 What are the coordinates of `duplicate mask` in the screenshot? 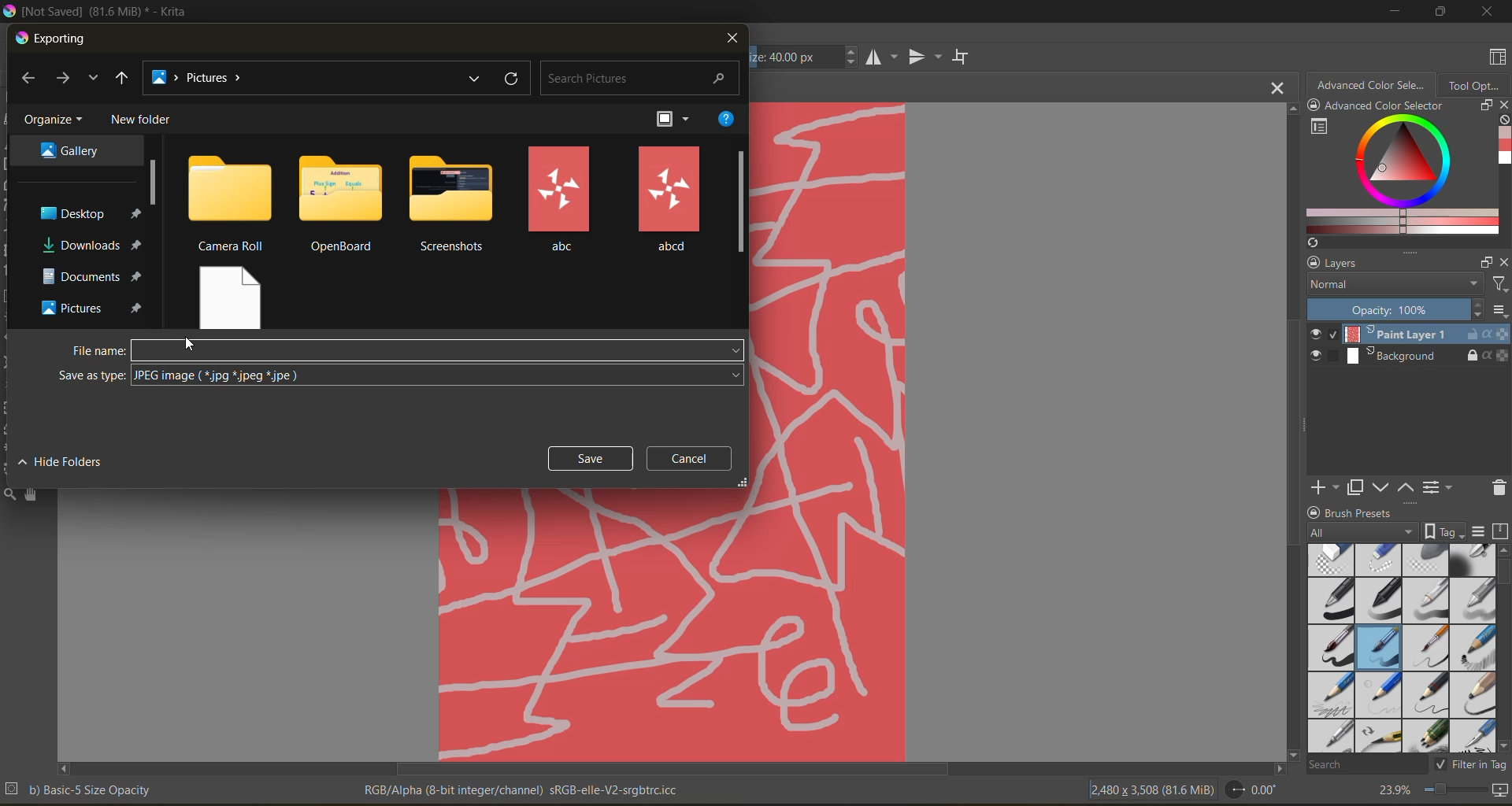 It's located at (1355, 488).